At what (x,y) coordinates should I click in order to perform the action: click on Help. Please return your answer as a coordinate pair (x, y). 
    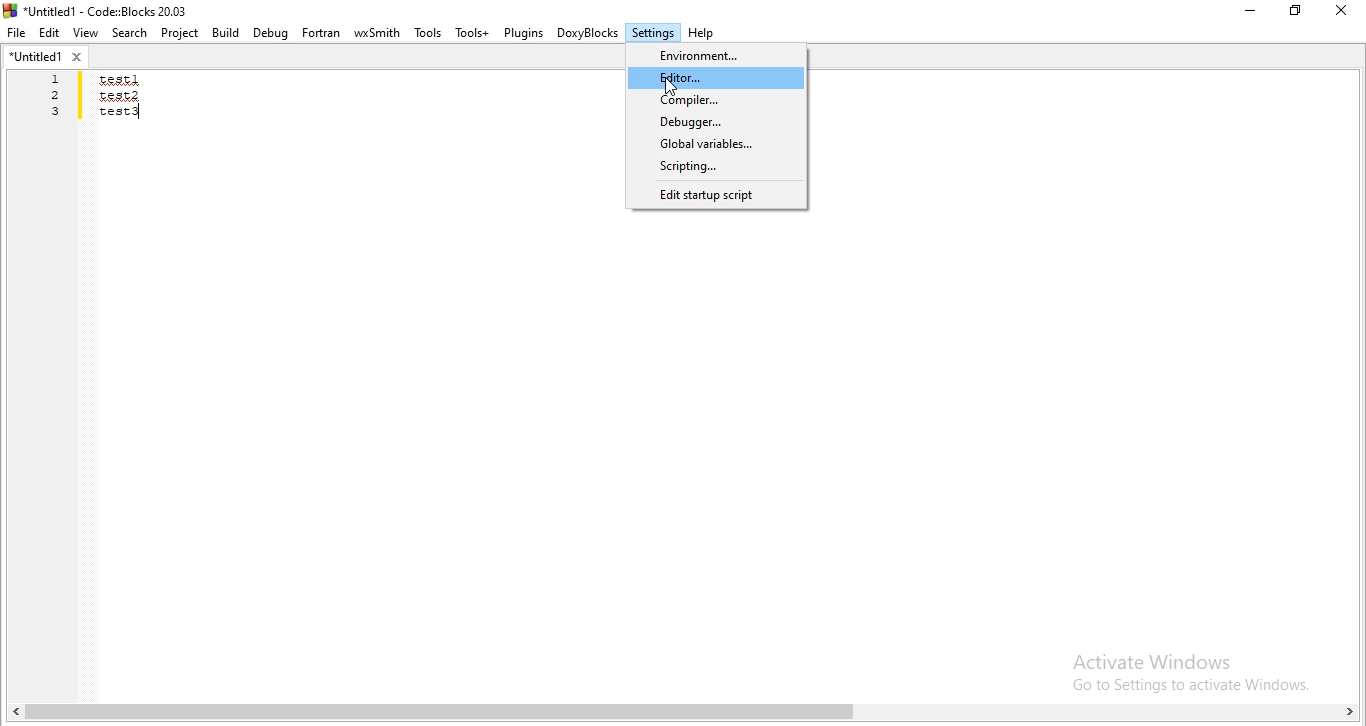
    Looking at the image, I should click on (702, 34).